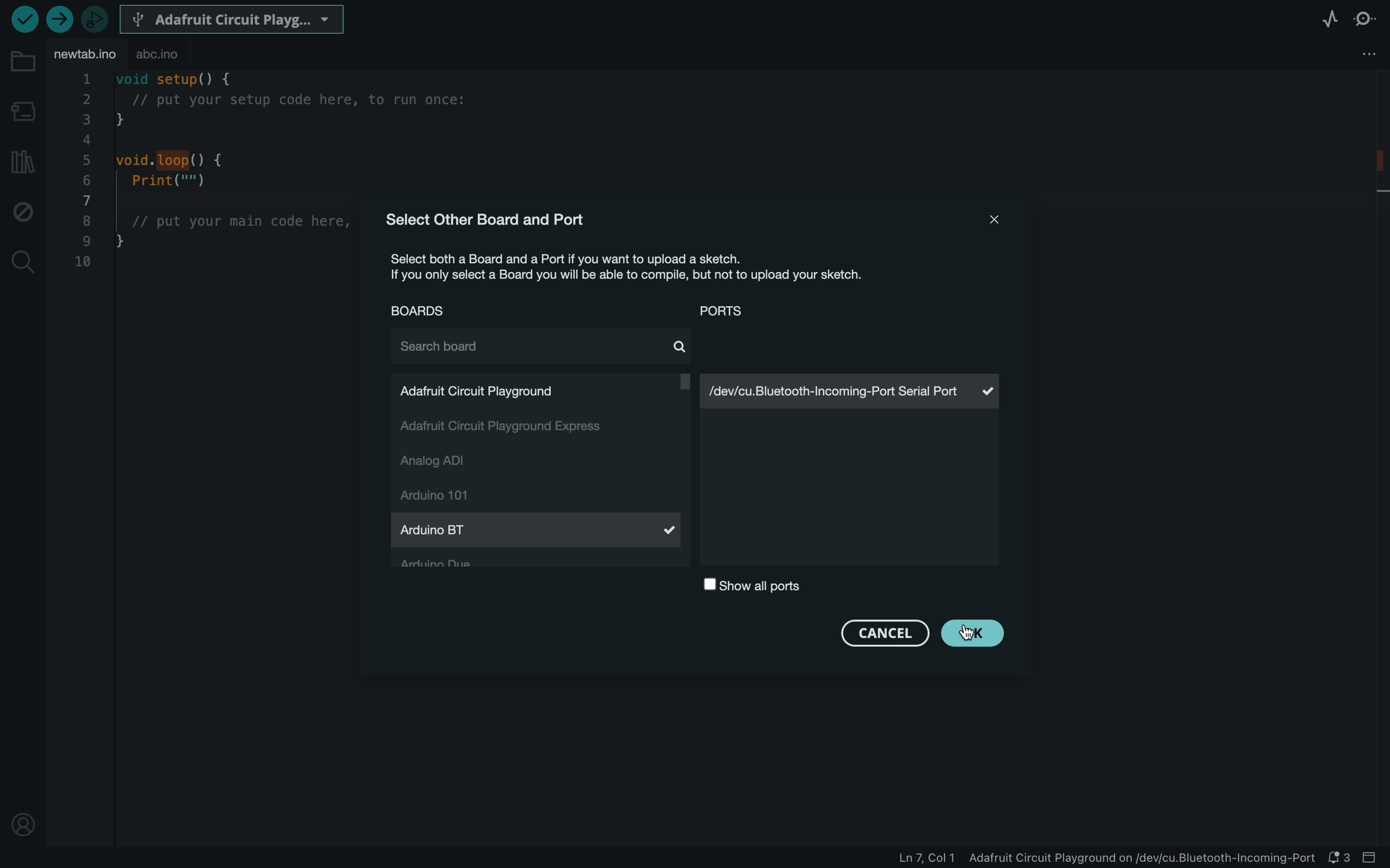  Describe the element at coordinates (536, 348) in the screenshot. I see `search board` at that location.